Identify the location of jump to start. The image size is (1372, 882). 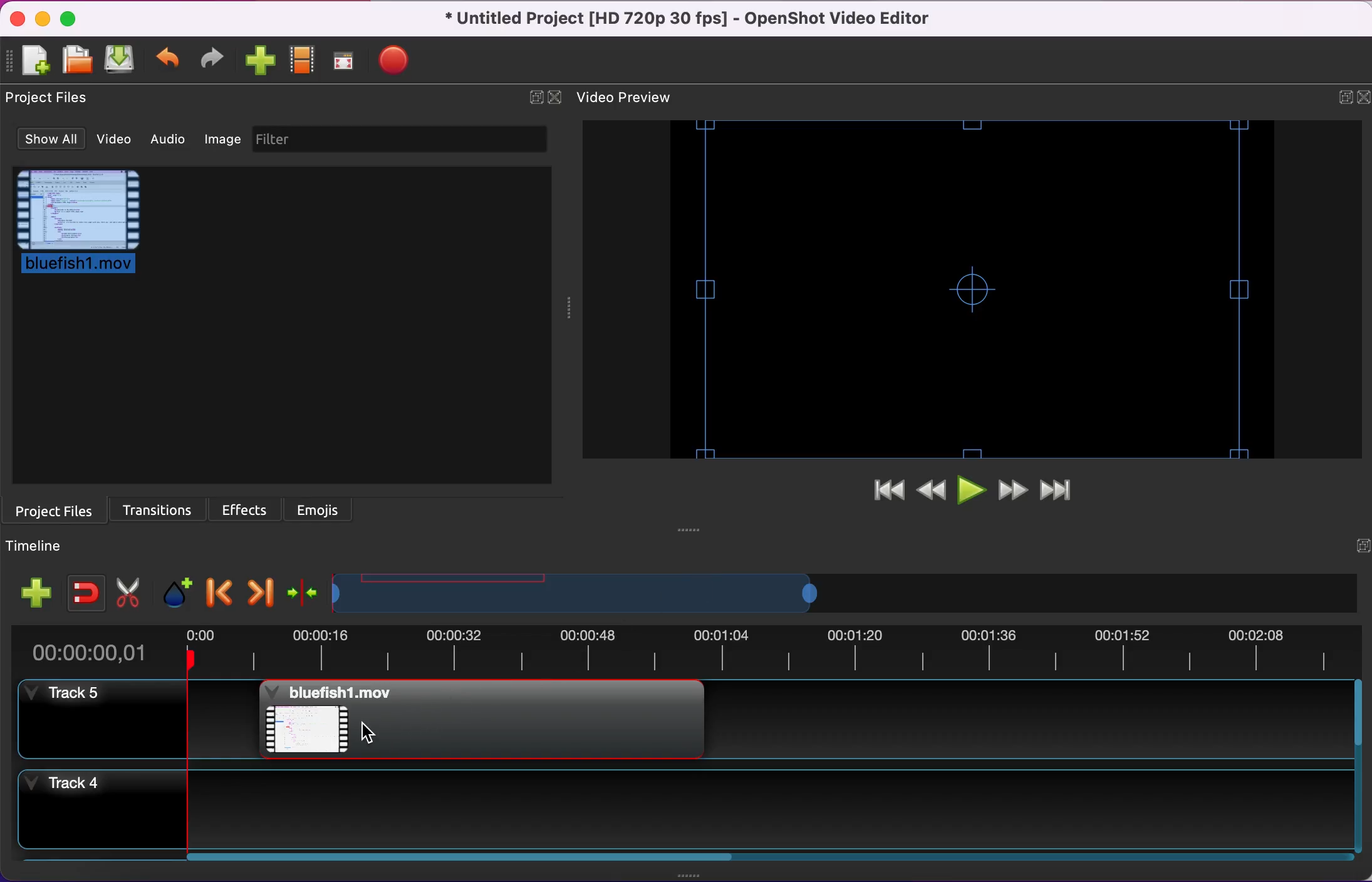
(881, 492).